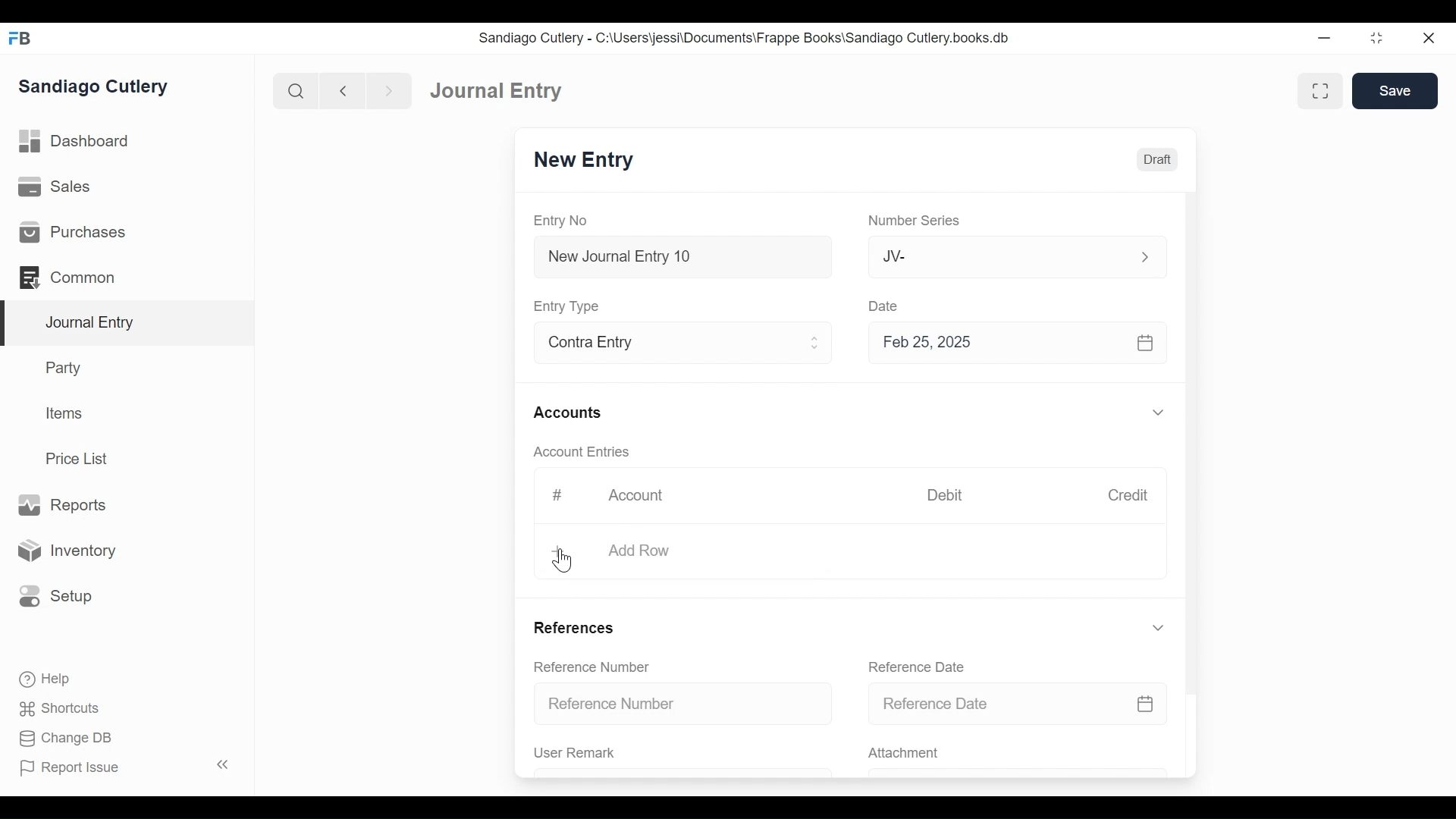  Describe the element at coordinates (61, 738) in the screenshot. I see `Change DB` at that location.